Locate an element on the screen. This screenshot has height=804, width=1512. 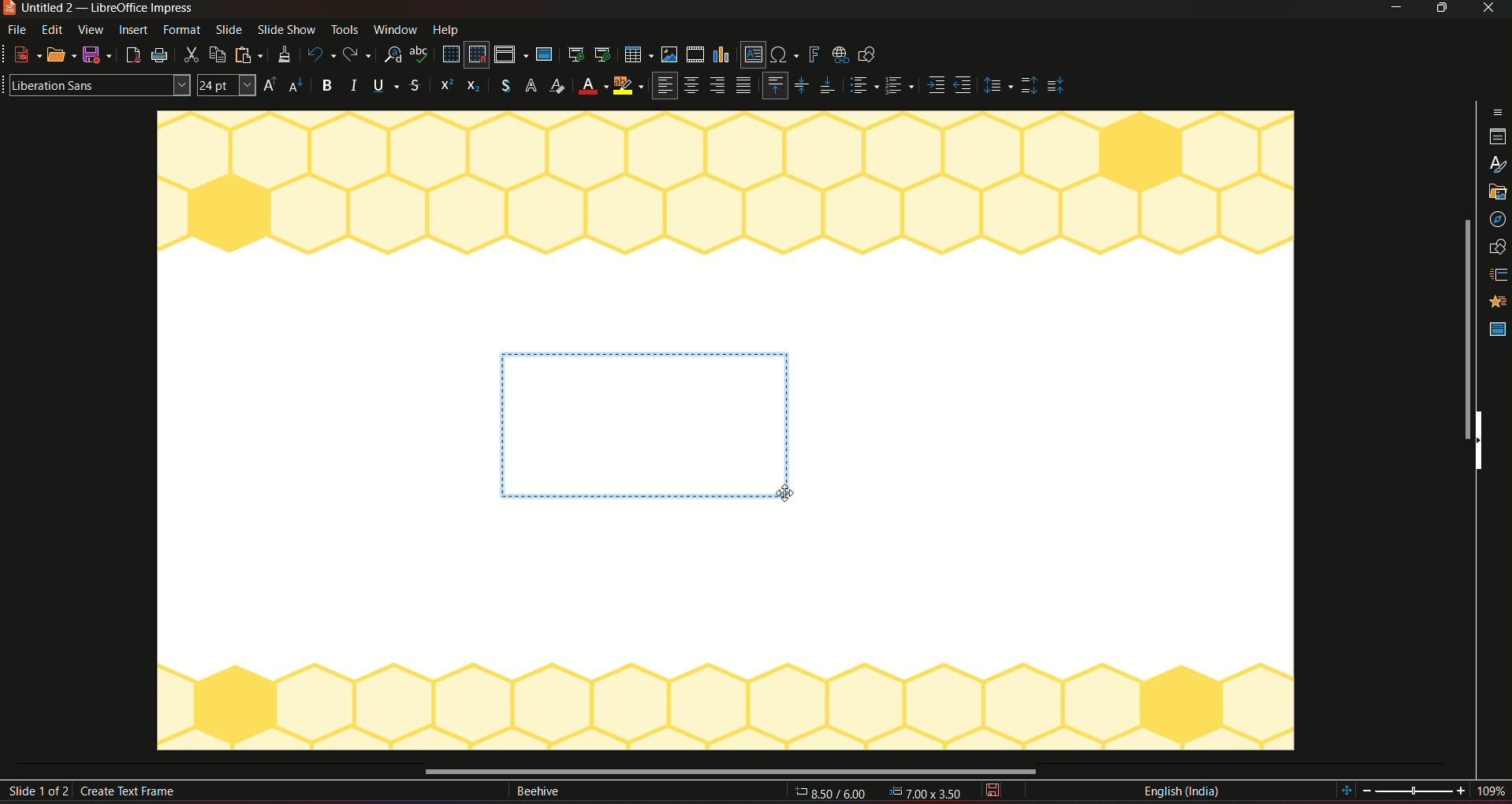
insert hyperlink is located at coordinates (839, 54).